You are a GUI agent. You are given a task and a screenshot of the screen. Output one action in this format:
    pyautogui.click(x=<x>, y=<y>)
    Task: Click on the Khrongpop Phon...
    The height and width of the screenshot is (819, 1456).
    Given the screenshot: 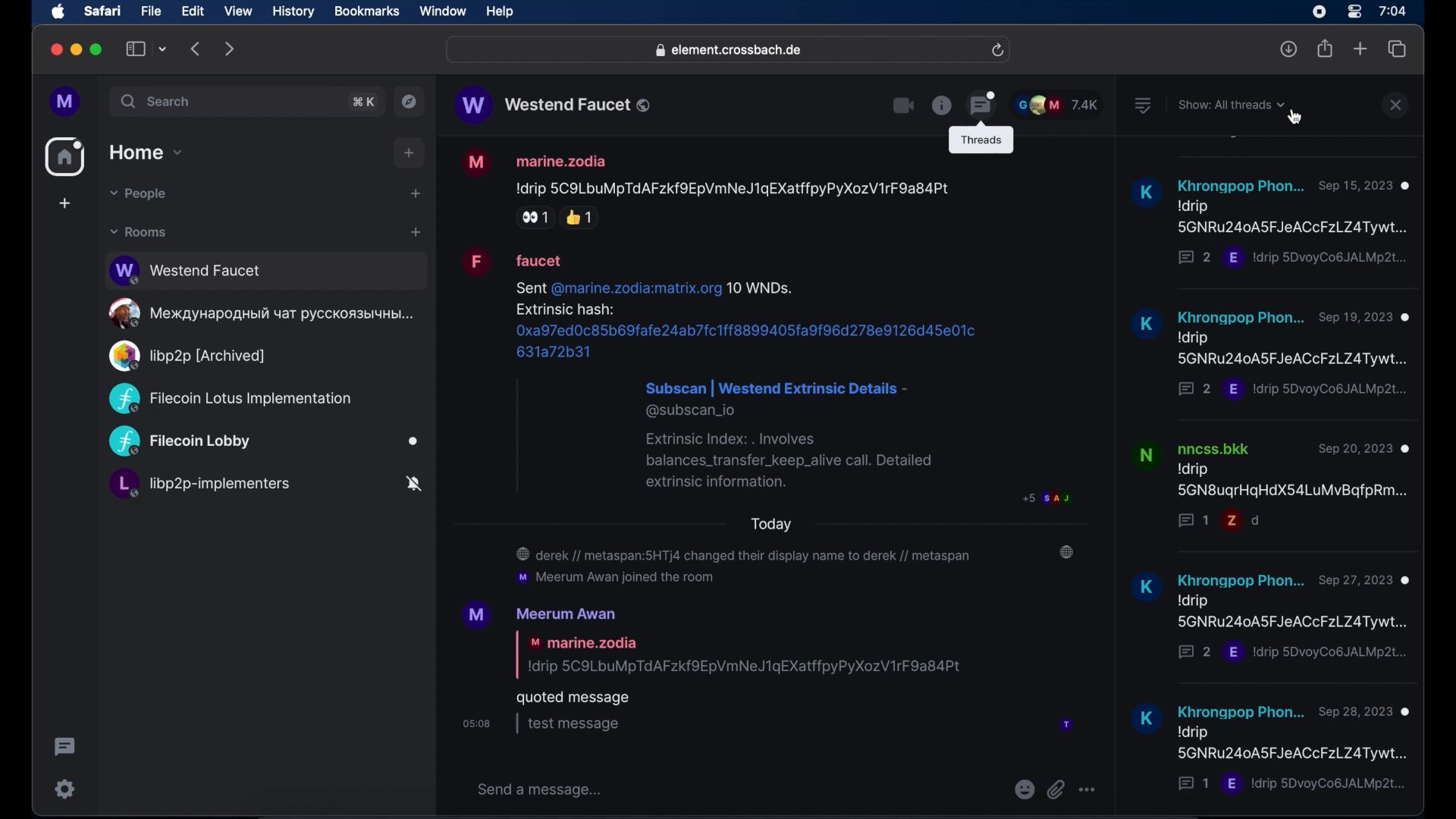 What is the action you would take?
    pyautogui.click(x=1240, y=187)
    